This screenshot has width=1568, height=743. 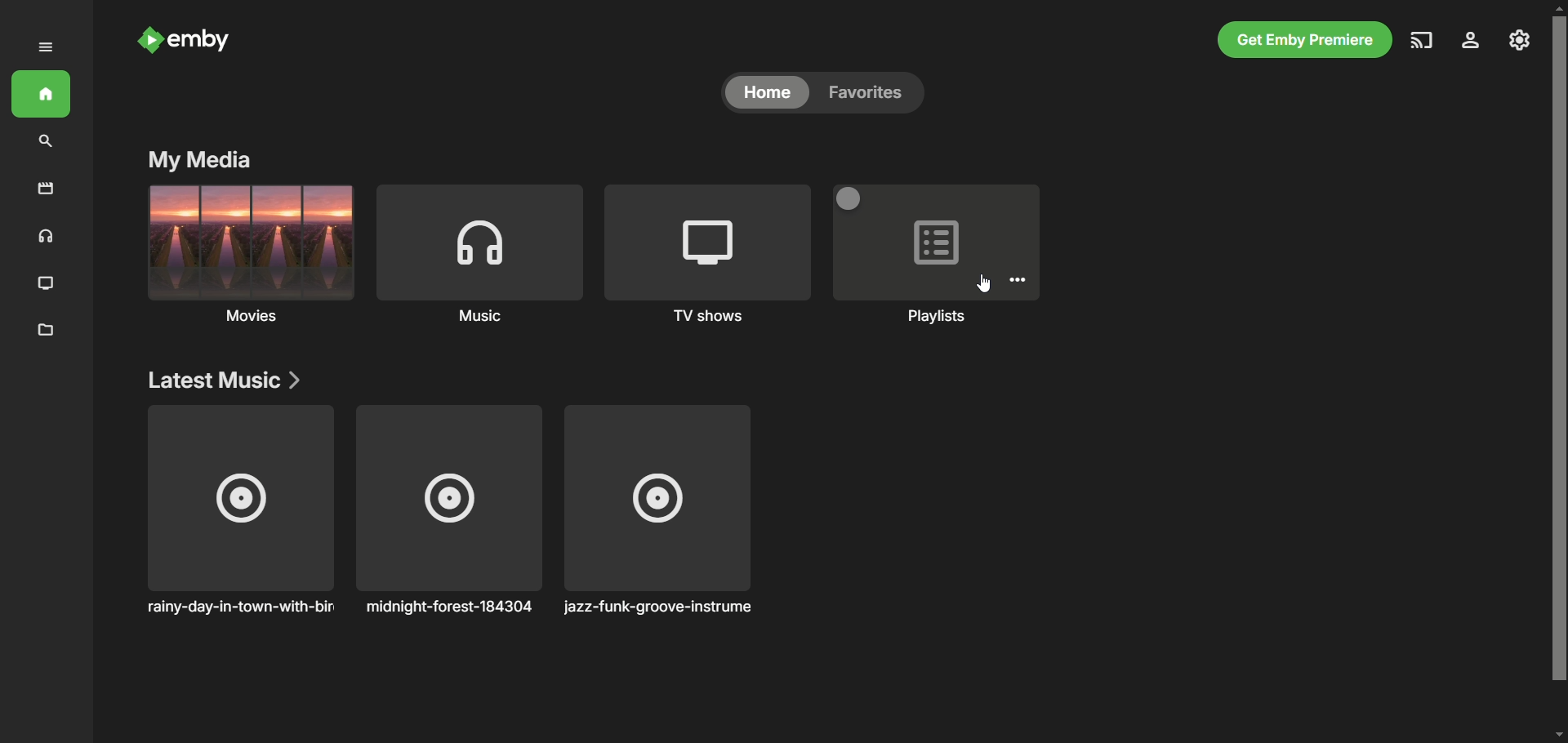 I want to click on Music album, so click(x=238, y=510).